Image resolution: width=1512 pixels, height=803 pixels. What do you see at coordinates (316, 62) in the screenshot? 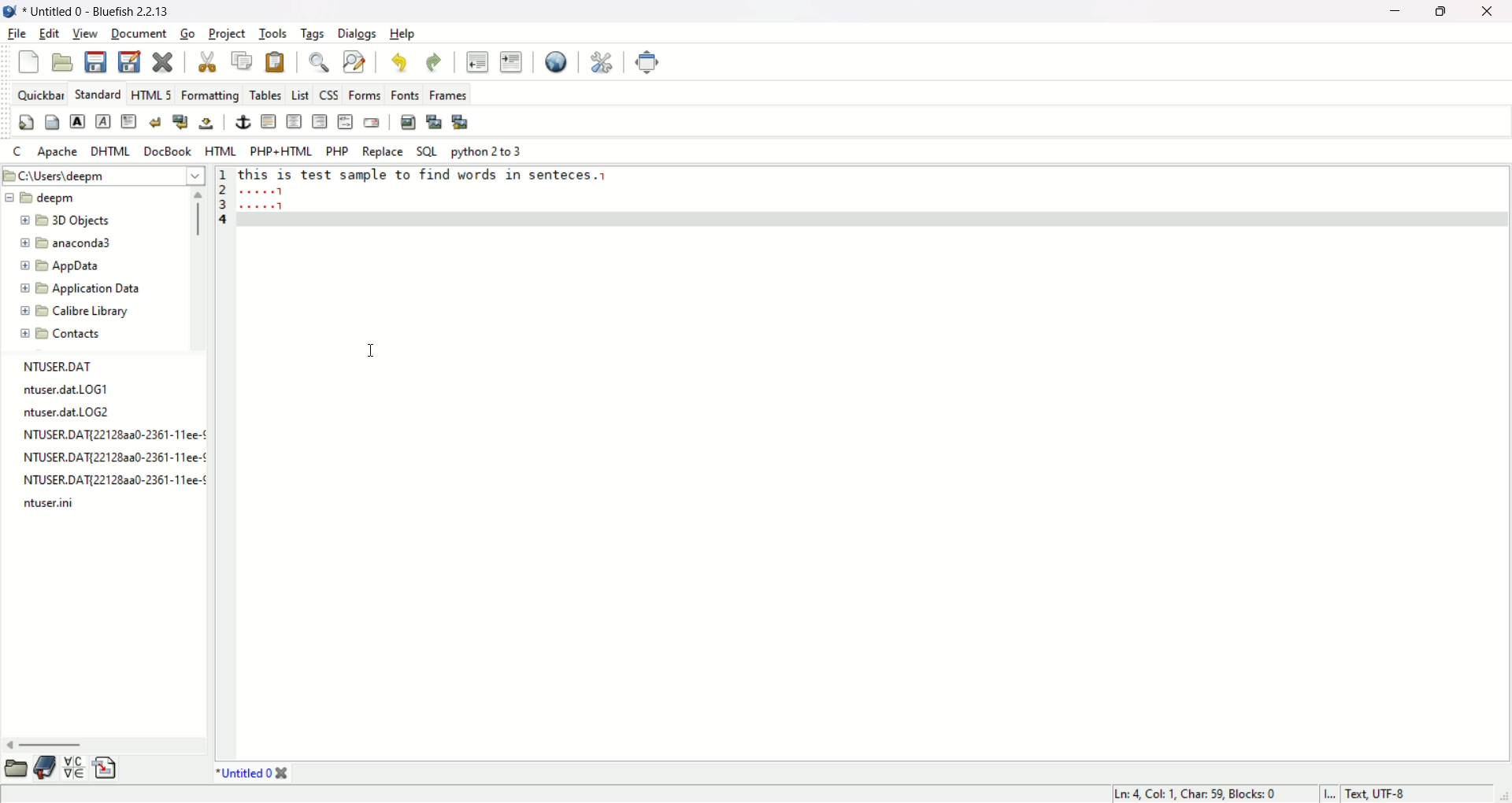
I see `find` at bounding box center [316, 62].